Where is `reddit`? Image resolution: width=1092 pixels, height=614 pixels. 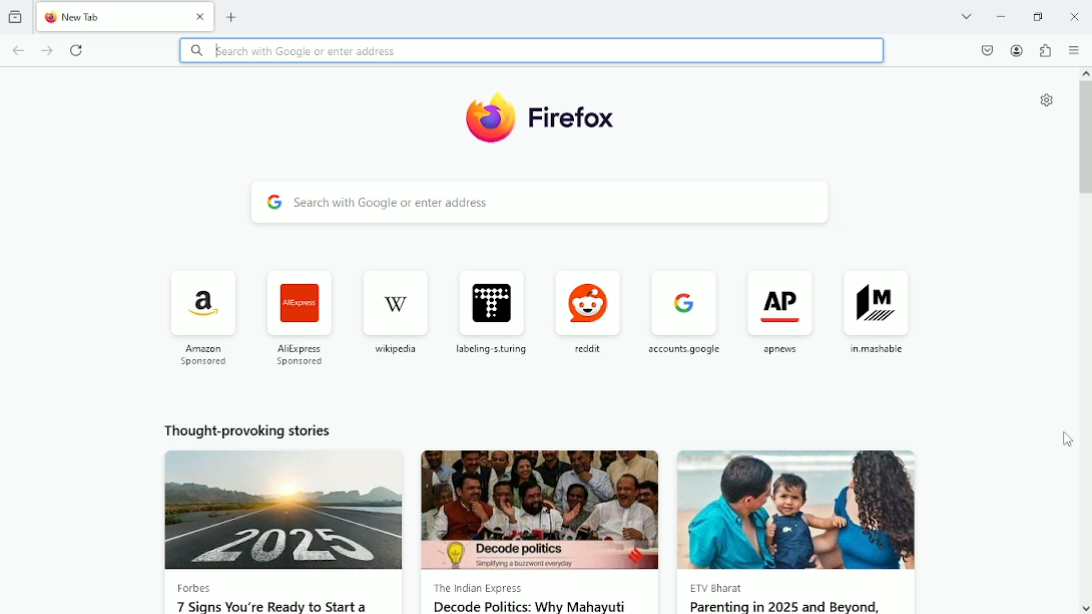
reddit is located at coordinates (581, 319).